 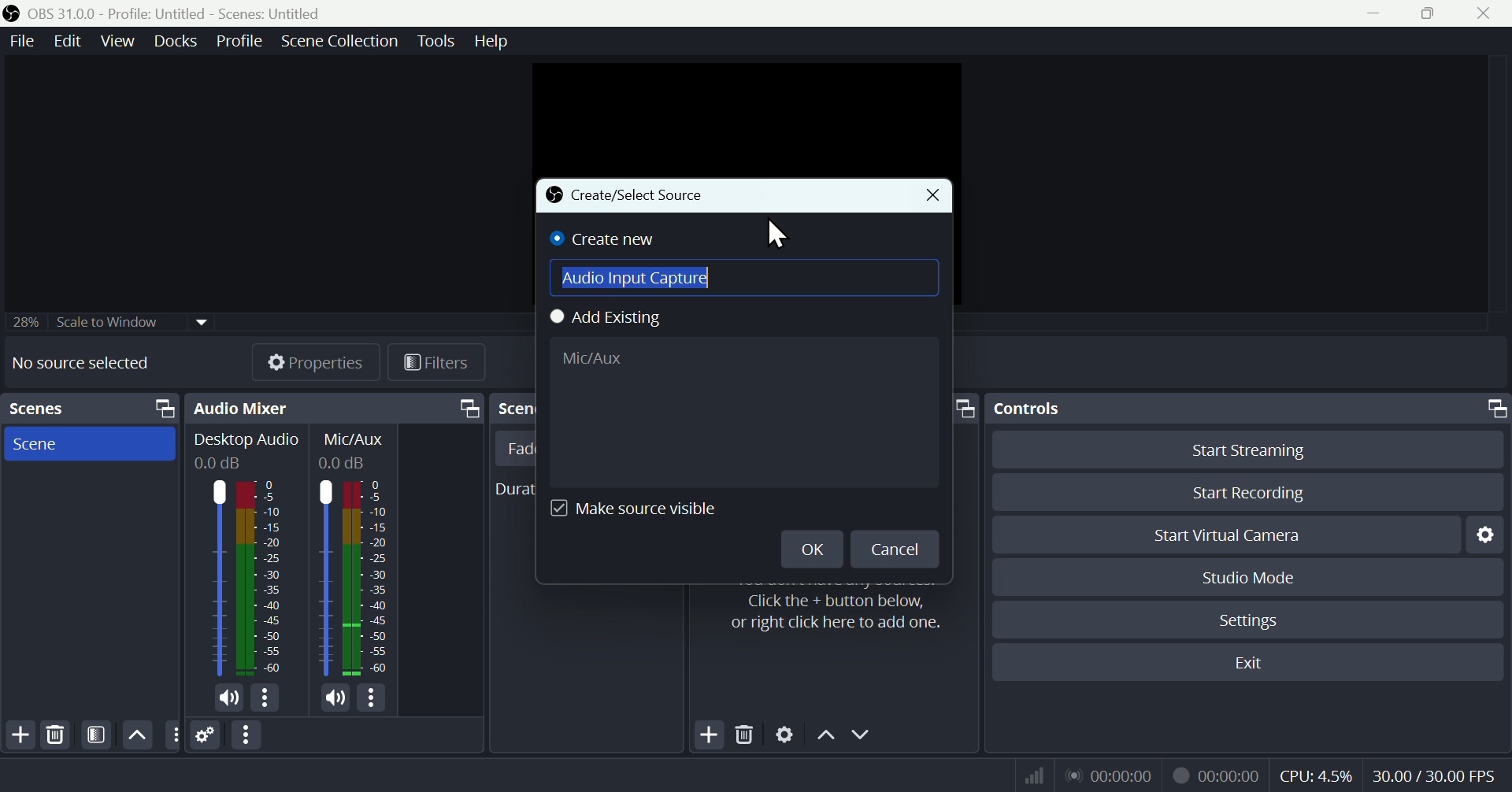 What do you see at coordinates (239, 41) in the screenshot?
I see `Profile` at bounding box center [239, 41].